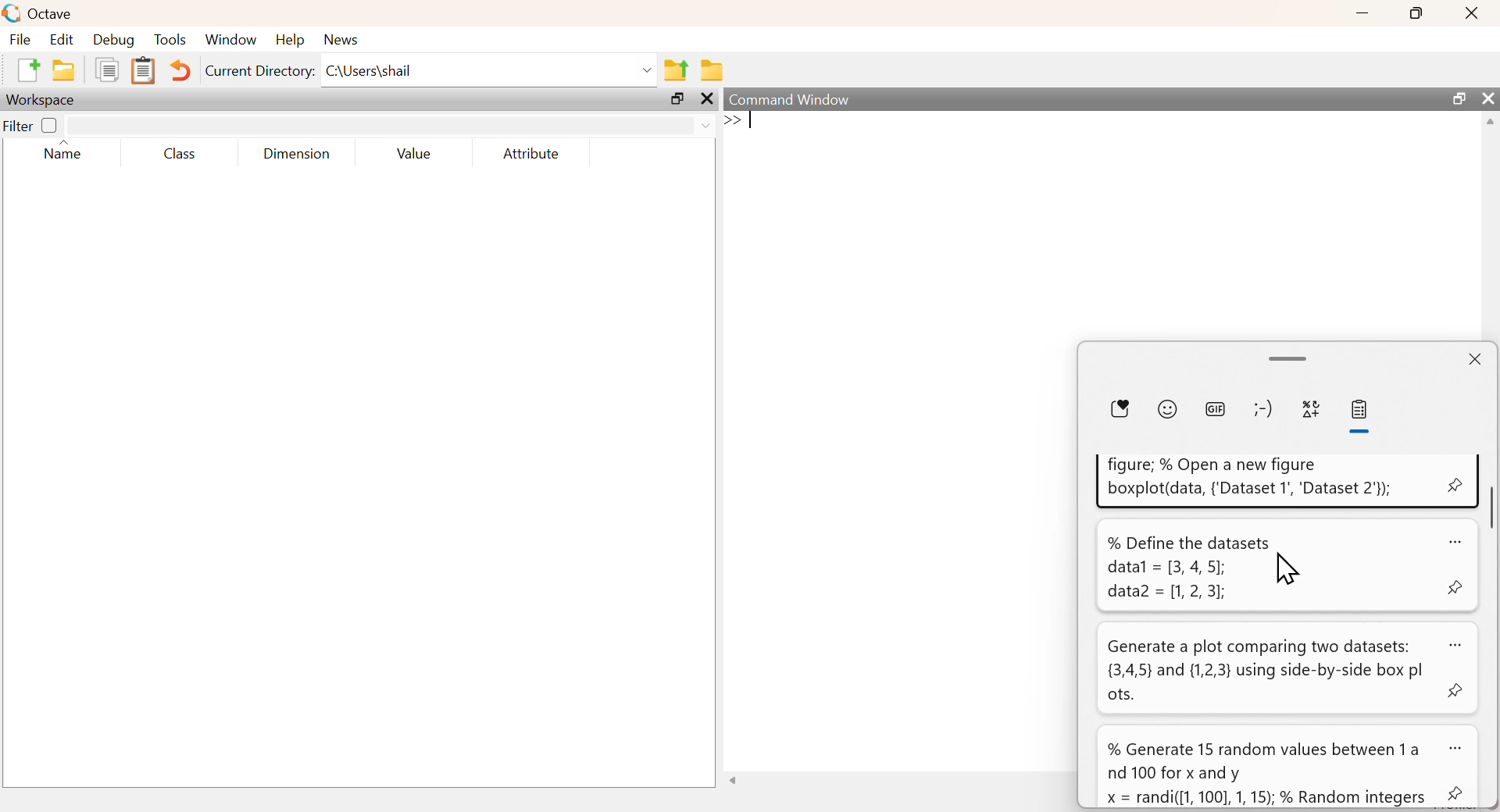 The height and width of the screenshot is (812, 1500). I want to click on Octave, so click(48, 14).